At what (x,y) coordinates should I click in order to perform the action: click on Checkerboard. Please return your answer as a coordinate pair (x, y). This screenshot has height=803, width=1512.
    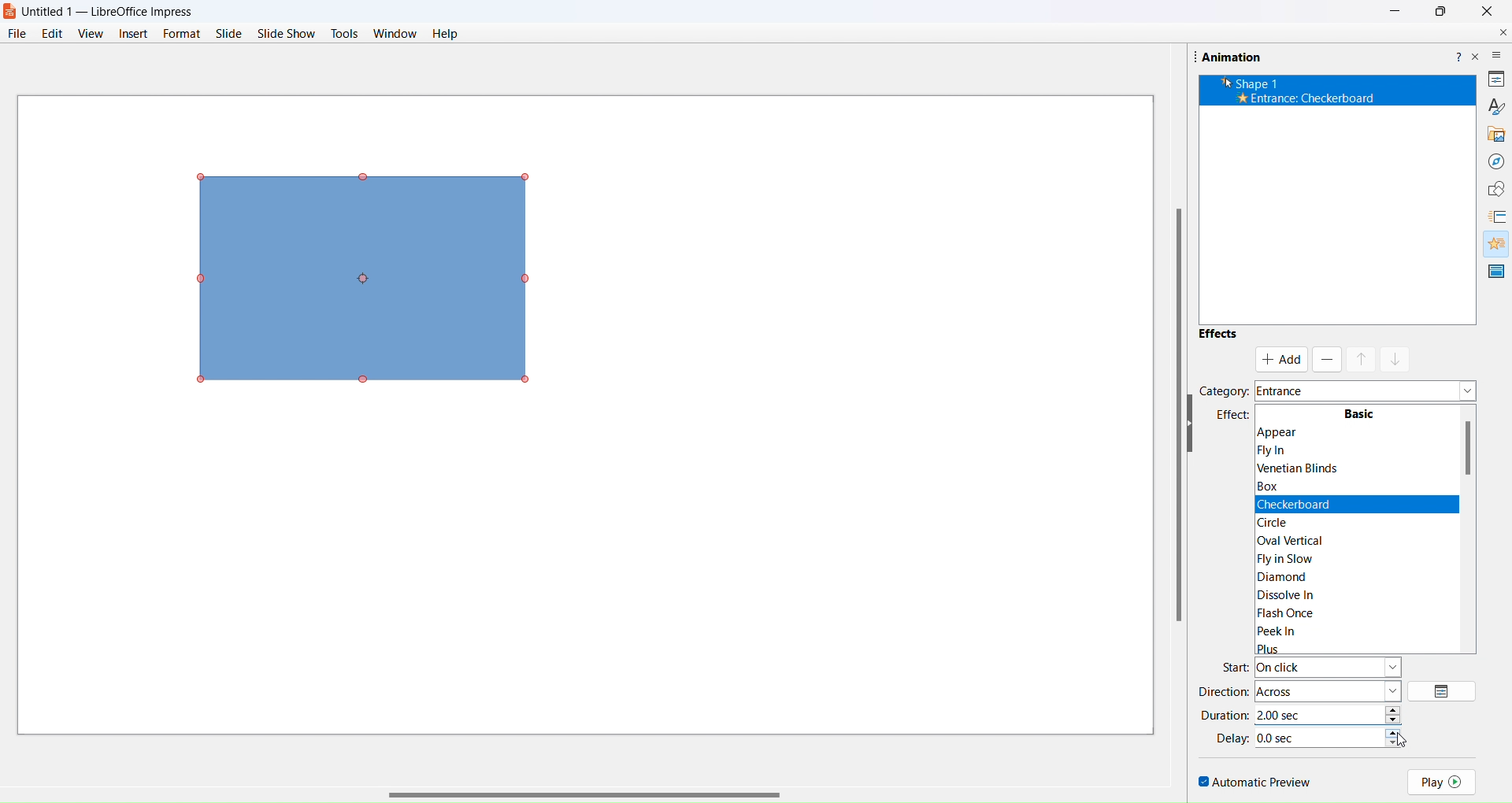
    Looking at the image, I should click on (1298, 503).